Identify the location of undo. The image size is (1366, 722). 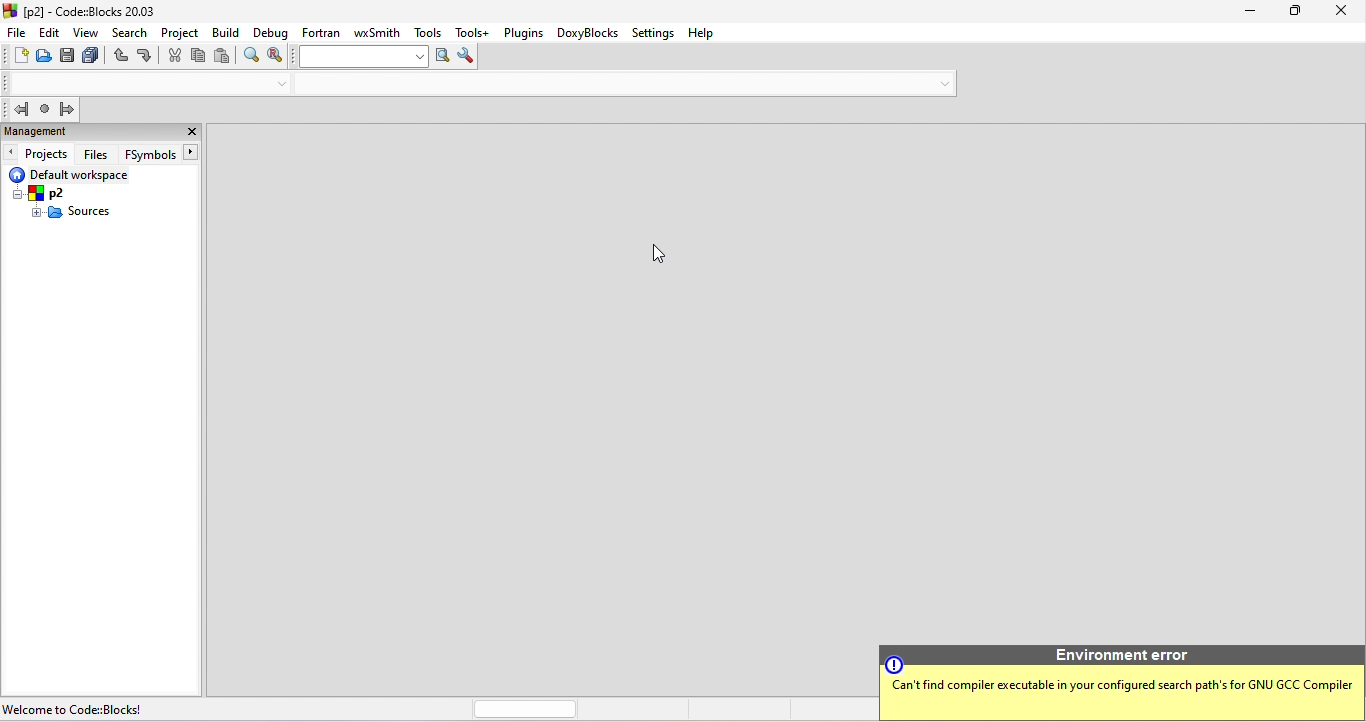
(122, 56).